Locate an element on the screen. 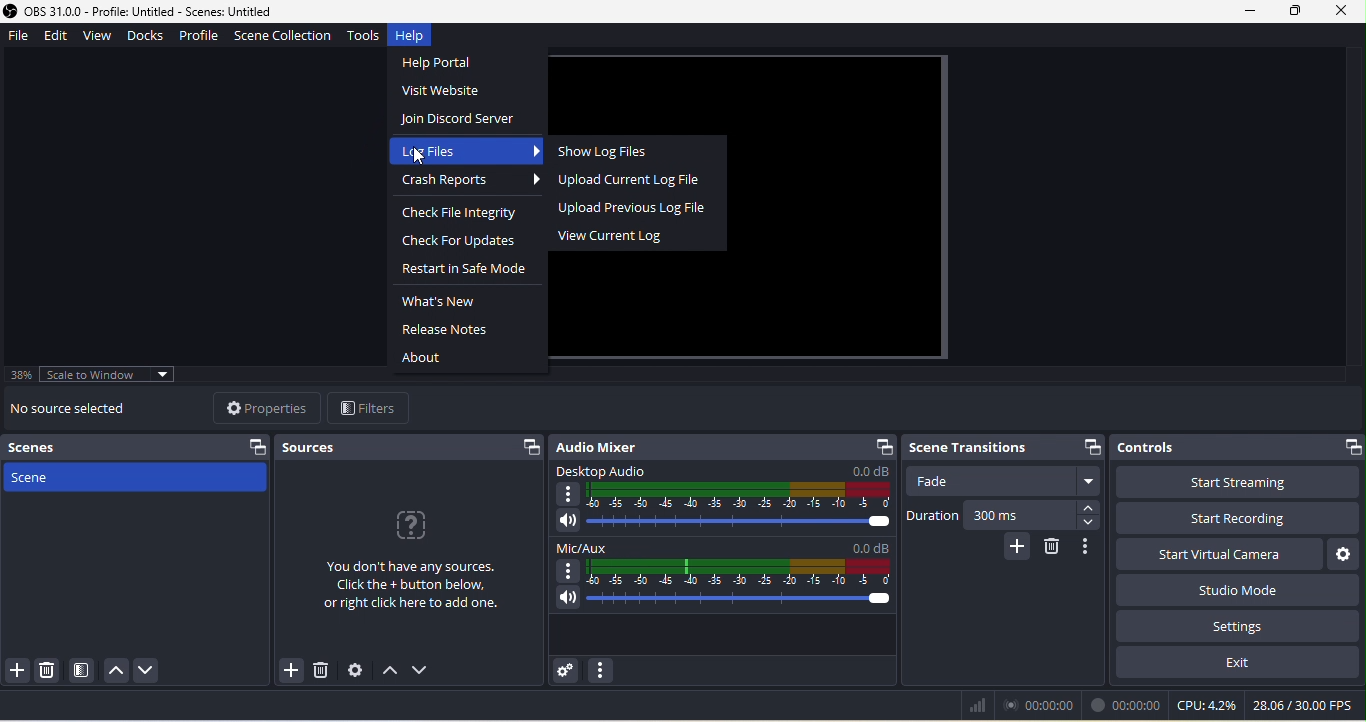 This screenshot has width=1366, height=722. duration is located at coordinates (930, 518).